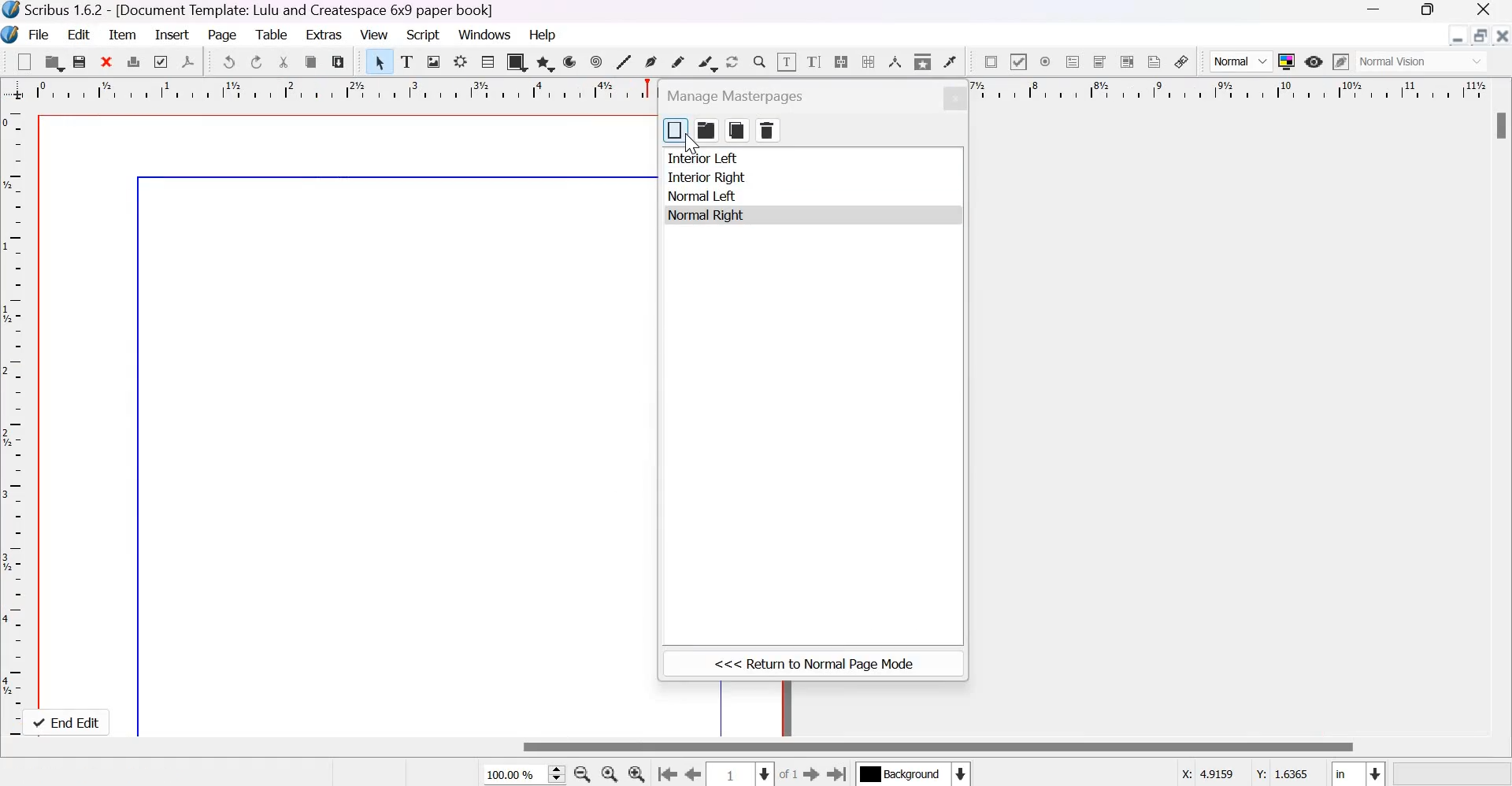  Describe the element at coordinates (516, 62) in the screenshot. I see `shapes` at that location.